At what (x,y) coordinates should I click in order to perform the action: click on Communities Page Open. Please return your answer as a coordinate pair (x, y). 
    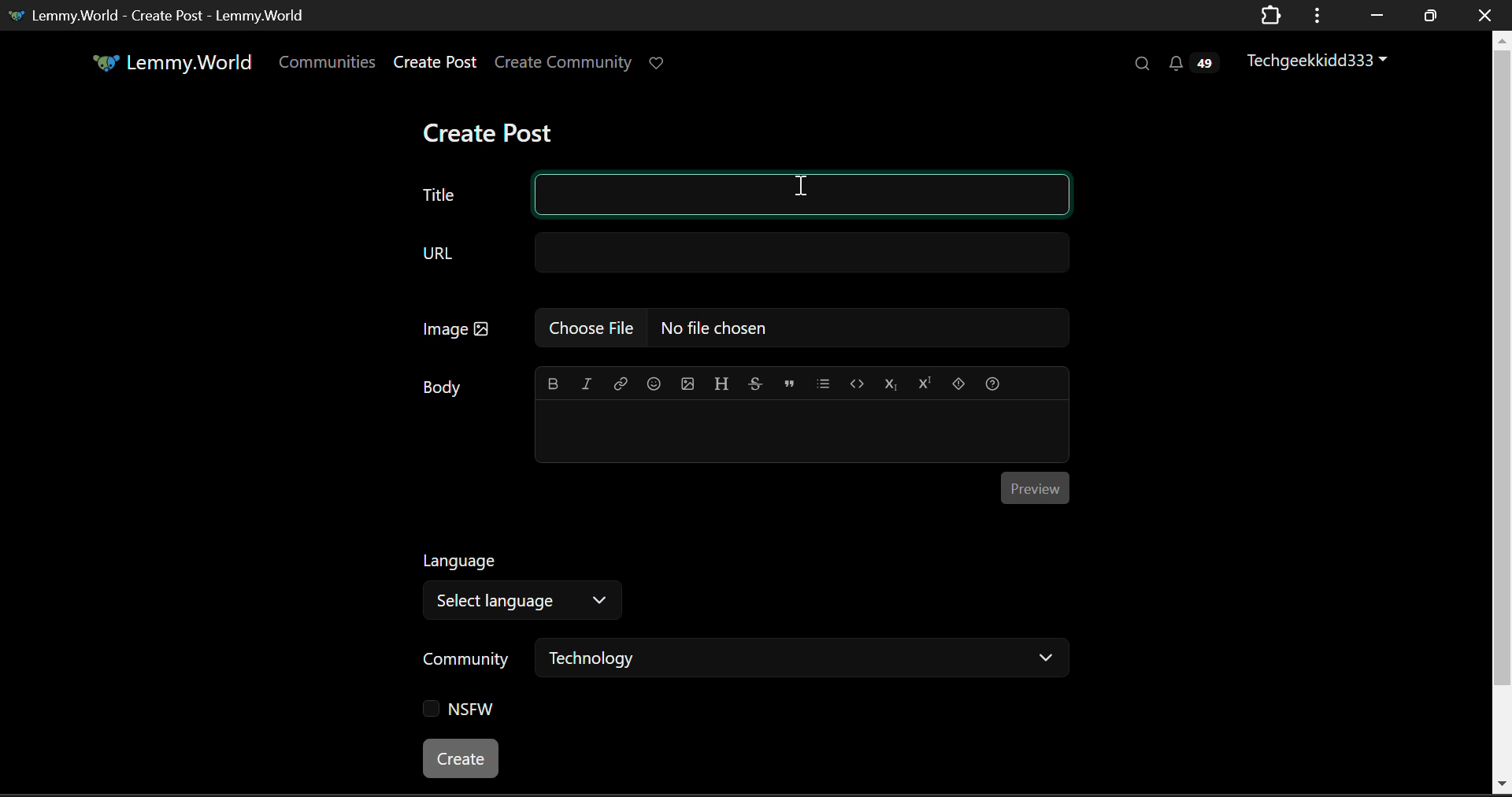
    Looking at the image, I should click on (329, 61).